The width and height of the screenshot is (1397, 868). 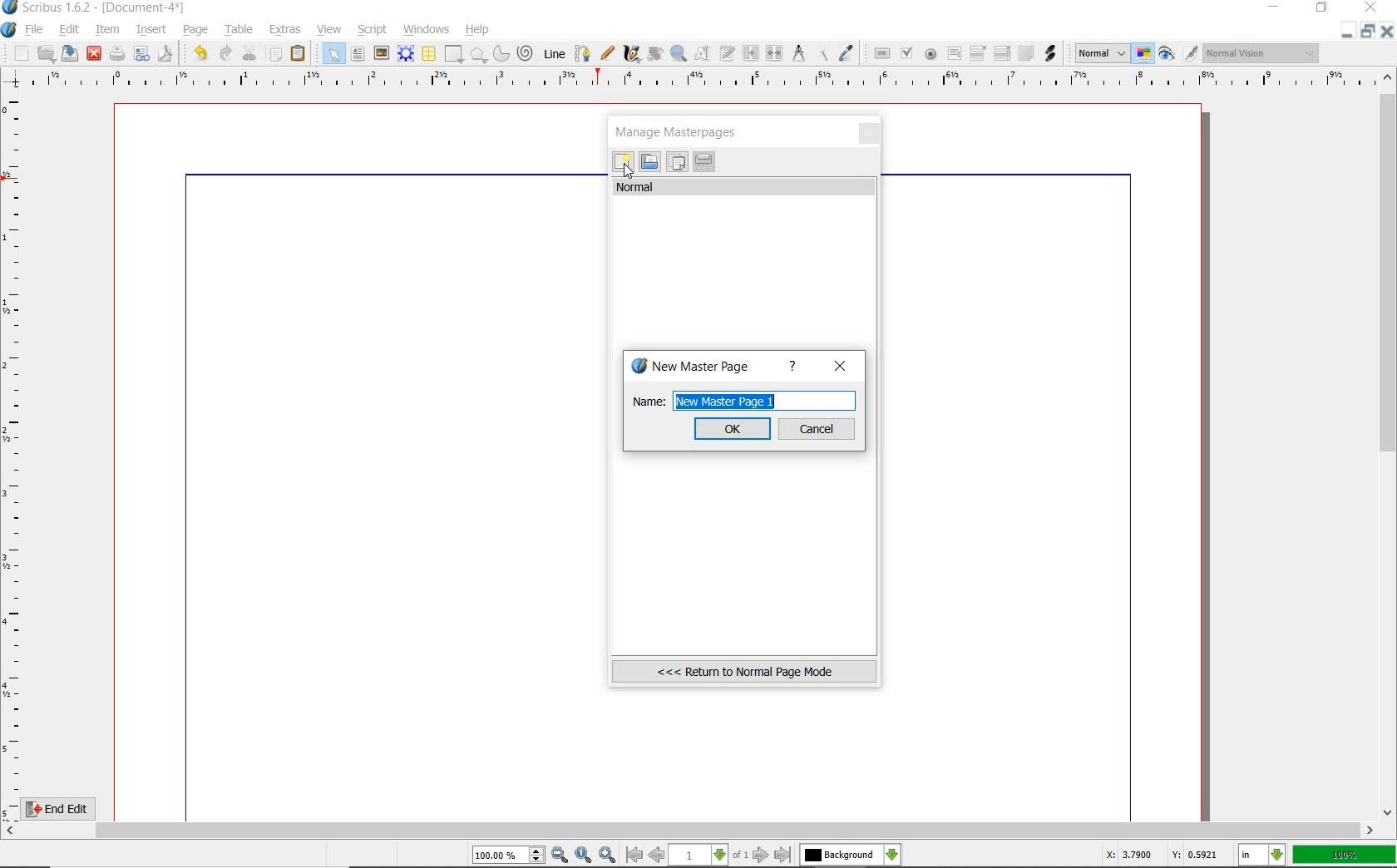 What do you see at coordinates (930, 54) in the screenshot?
I see `pdf radio button` at bounding box center [930, 54].